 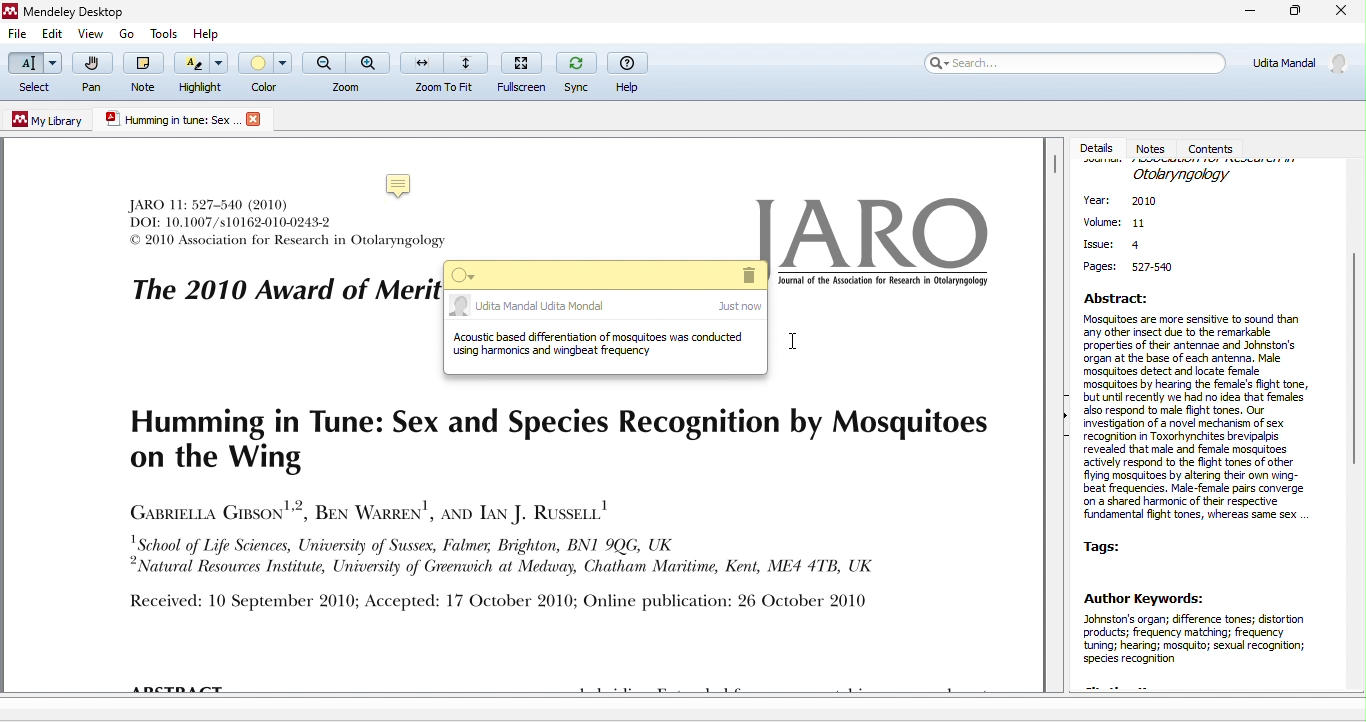 What do you see at coordinates (266, 70) in the screenshot?
I see `color` at bounding box center [266, 70].